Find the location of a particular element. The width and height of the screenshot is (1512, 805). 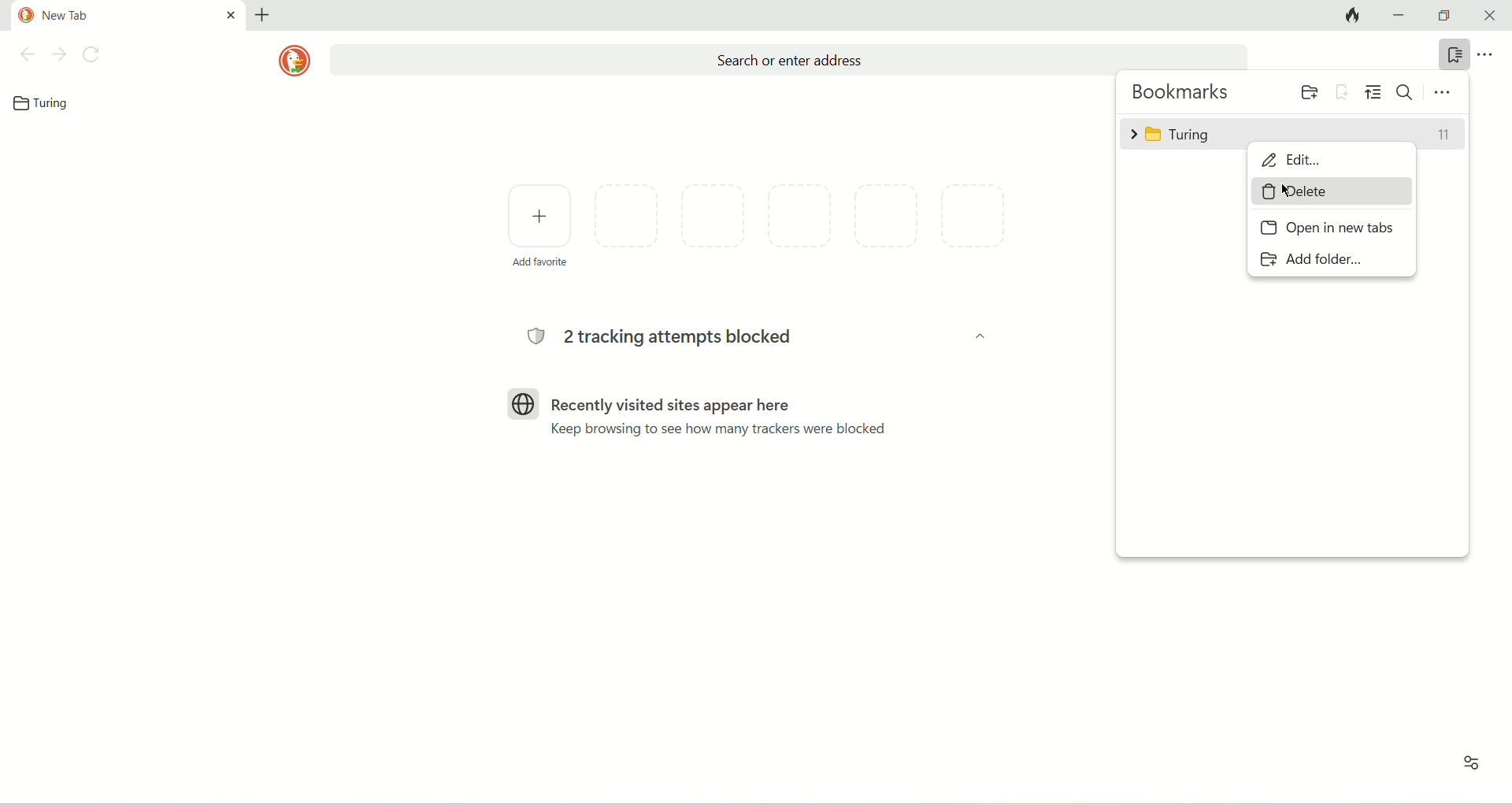

bookmarks is located at coordinates (1452, 55).